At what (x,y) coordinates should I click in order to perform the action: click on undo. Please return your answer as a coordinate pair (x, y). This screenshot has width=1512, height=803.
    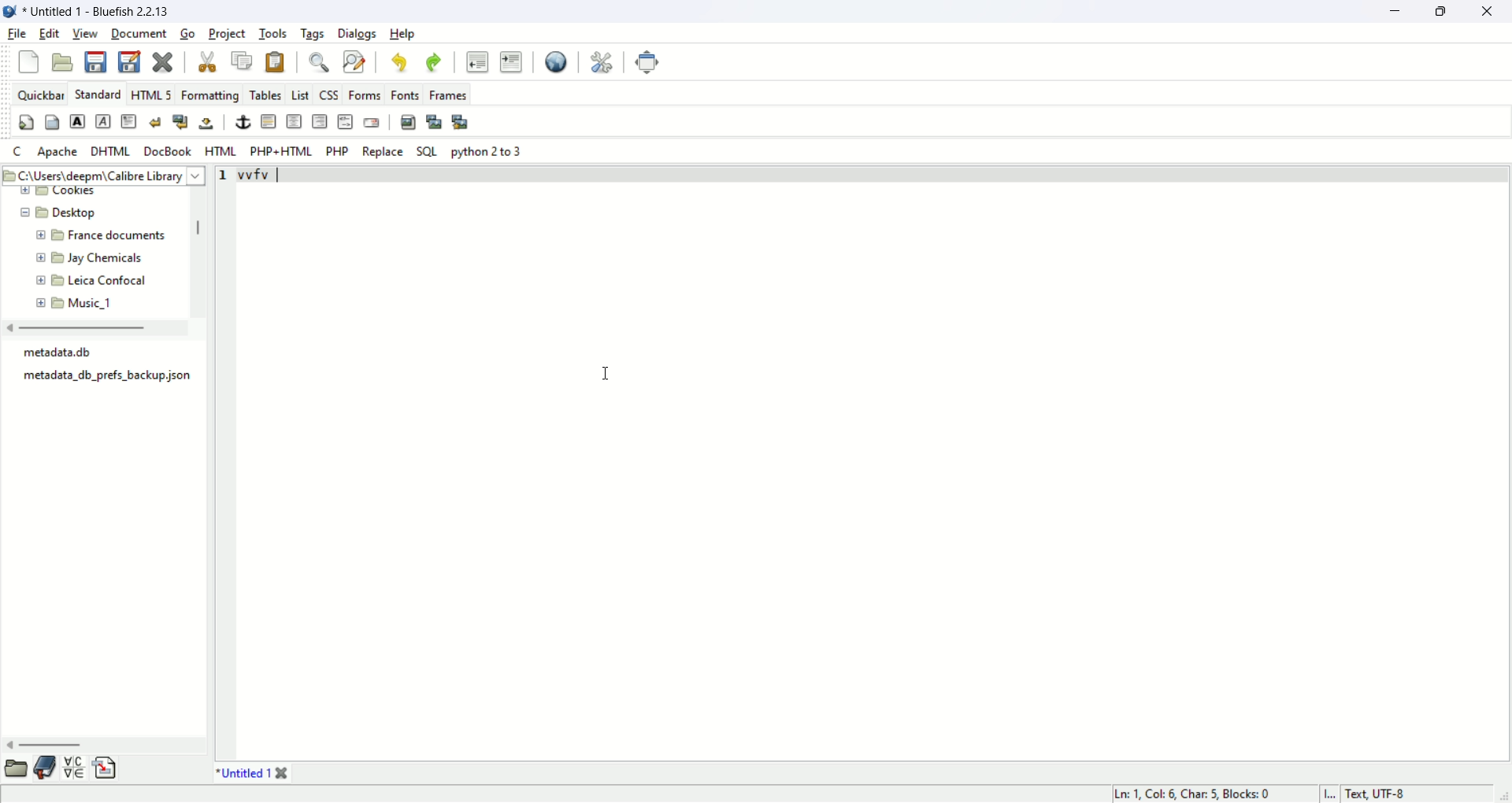
    Looking at the image, I should click on (398, 61).